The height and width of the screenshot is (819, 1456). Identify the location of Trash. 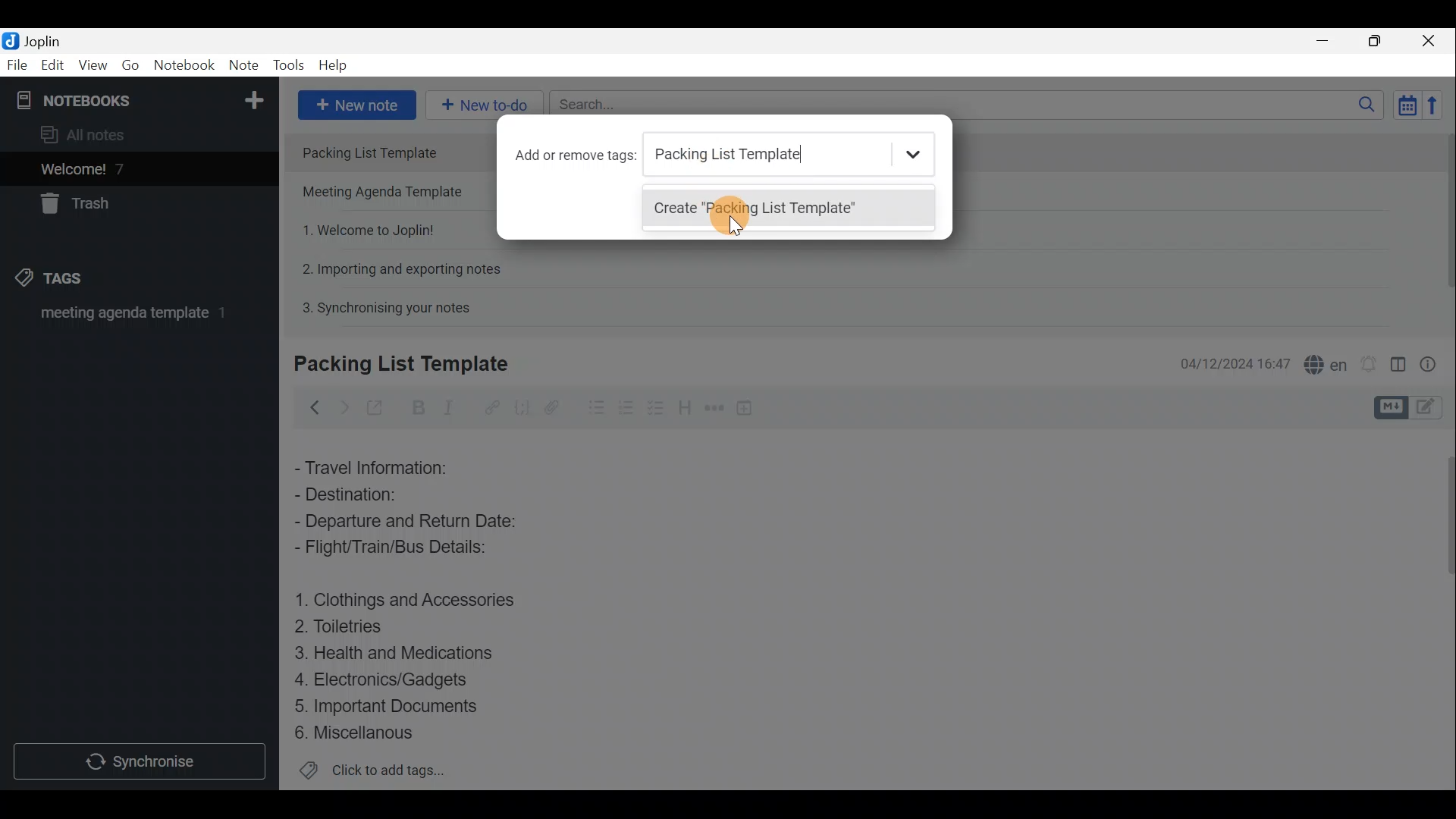
(81, 206).